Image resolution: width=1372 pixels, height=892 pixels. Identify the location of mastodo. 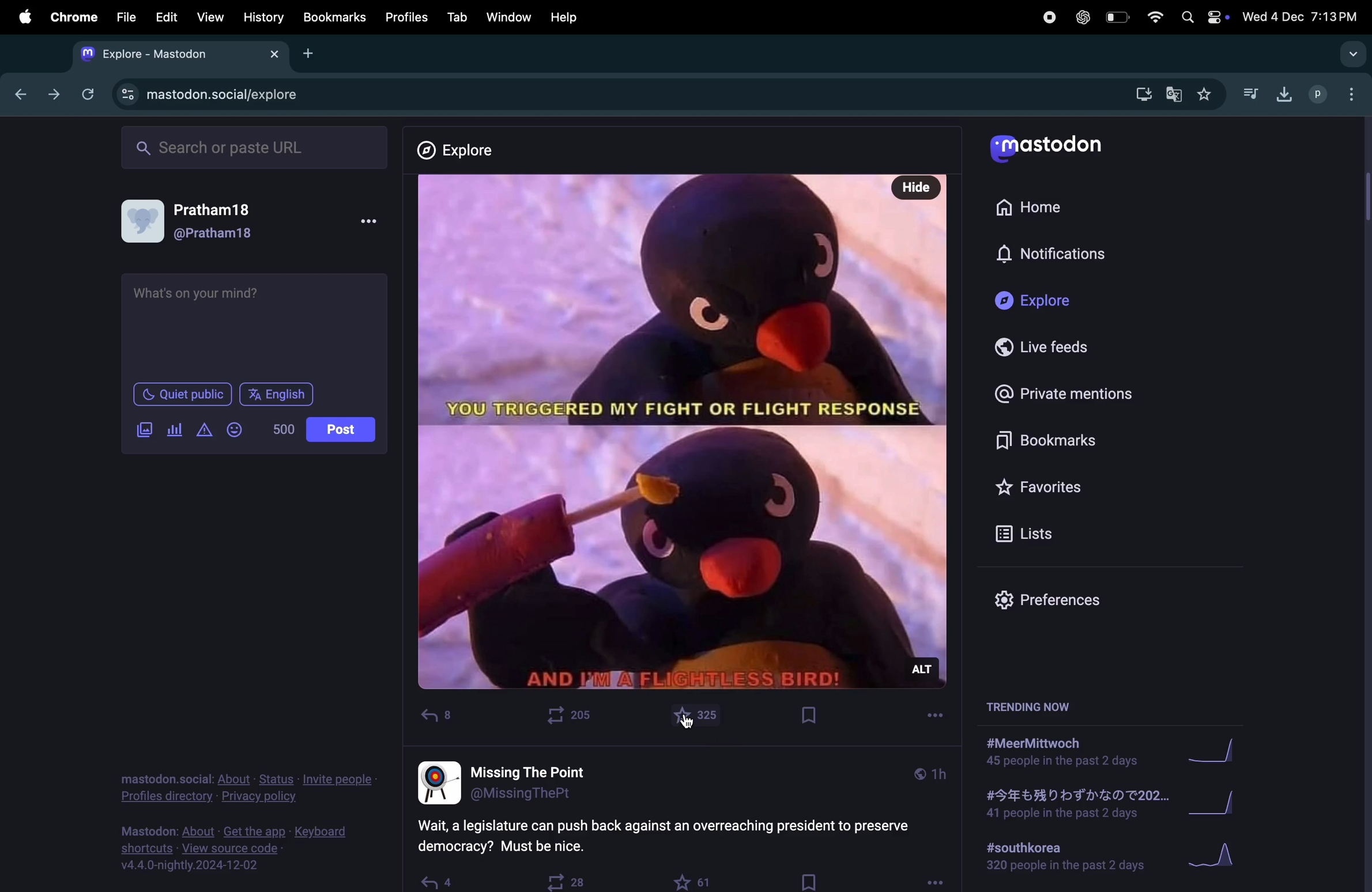
(1055, 145).